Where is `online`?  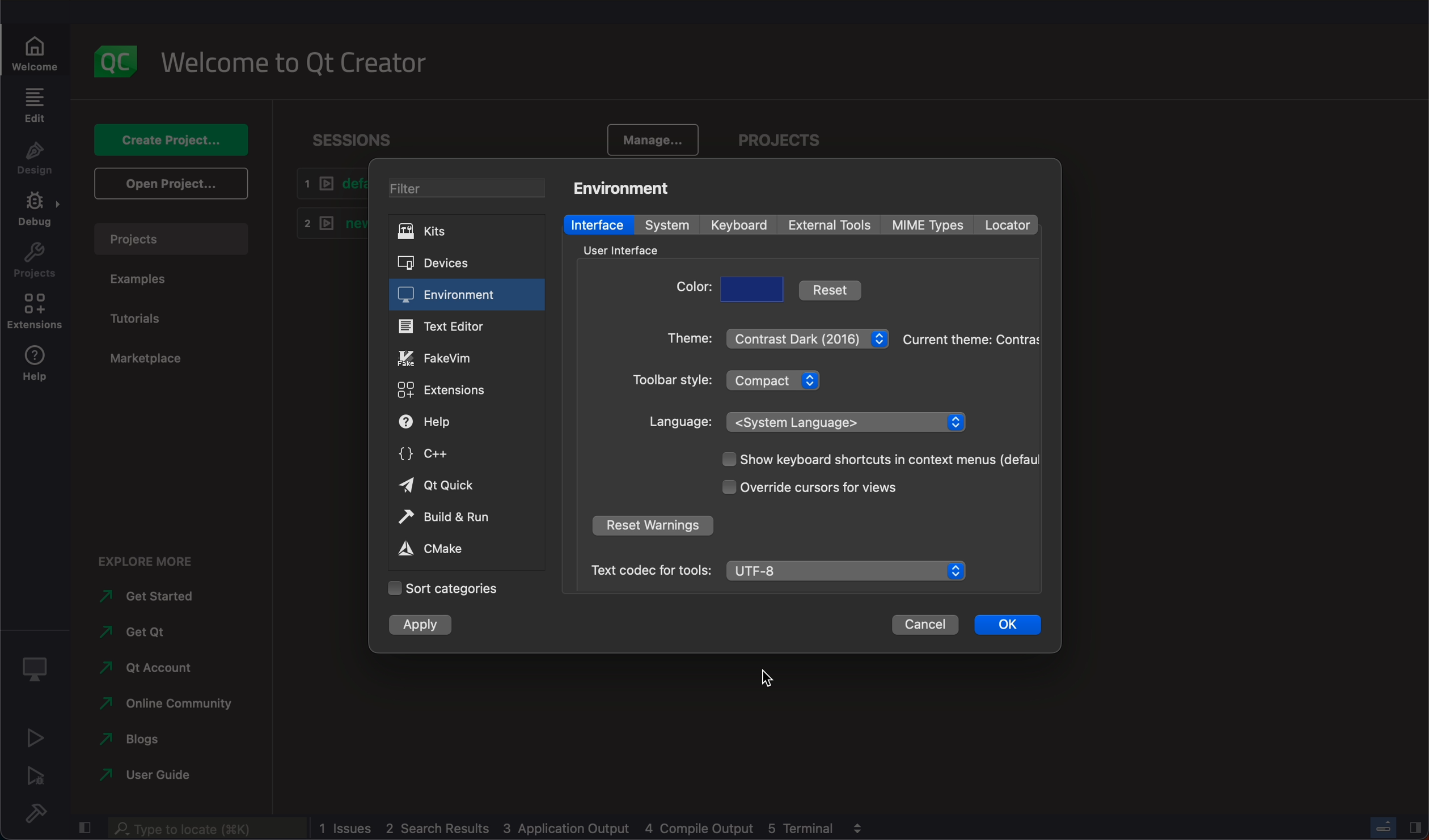
online is located at coordinates (168, 701).